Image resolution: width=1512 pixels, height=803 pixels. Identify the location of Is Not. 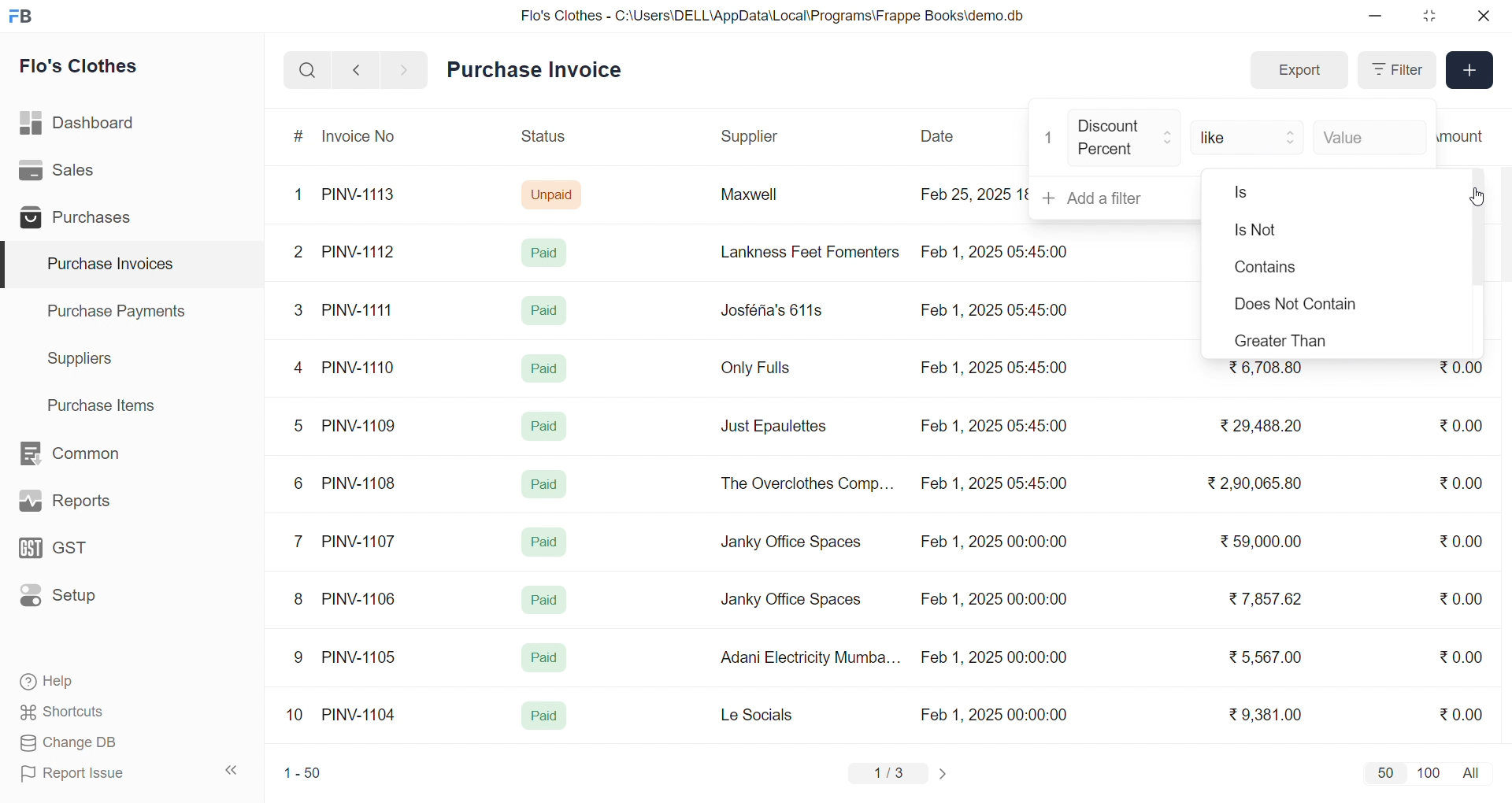
(1303, 231).